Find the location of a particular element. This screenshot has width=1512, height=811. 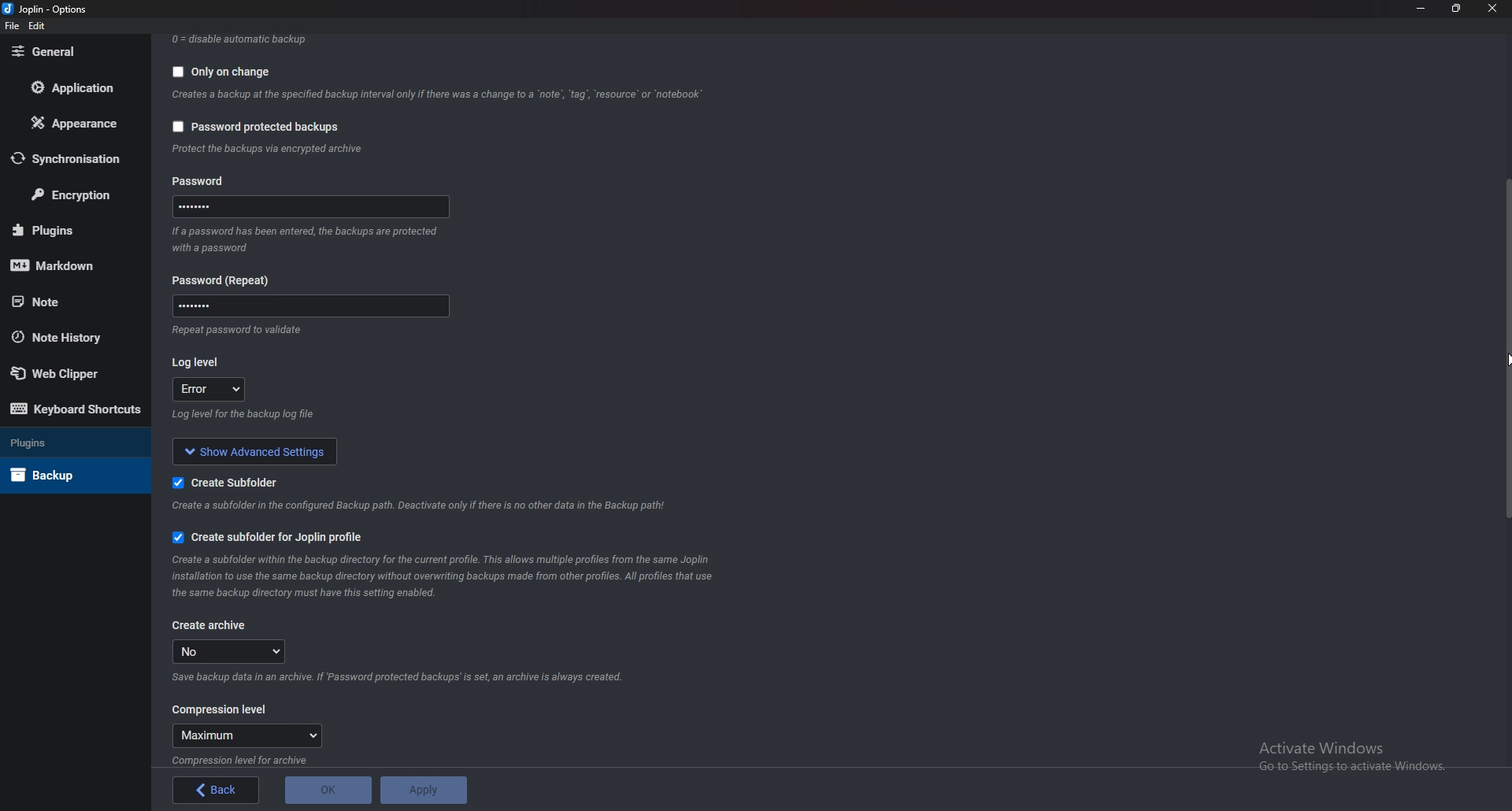

Info on log level is located at coordinates (244, 414).